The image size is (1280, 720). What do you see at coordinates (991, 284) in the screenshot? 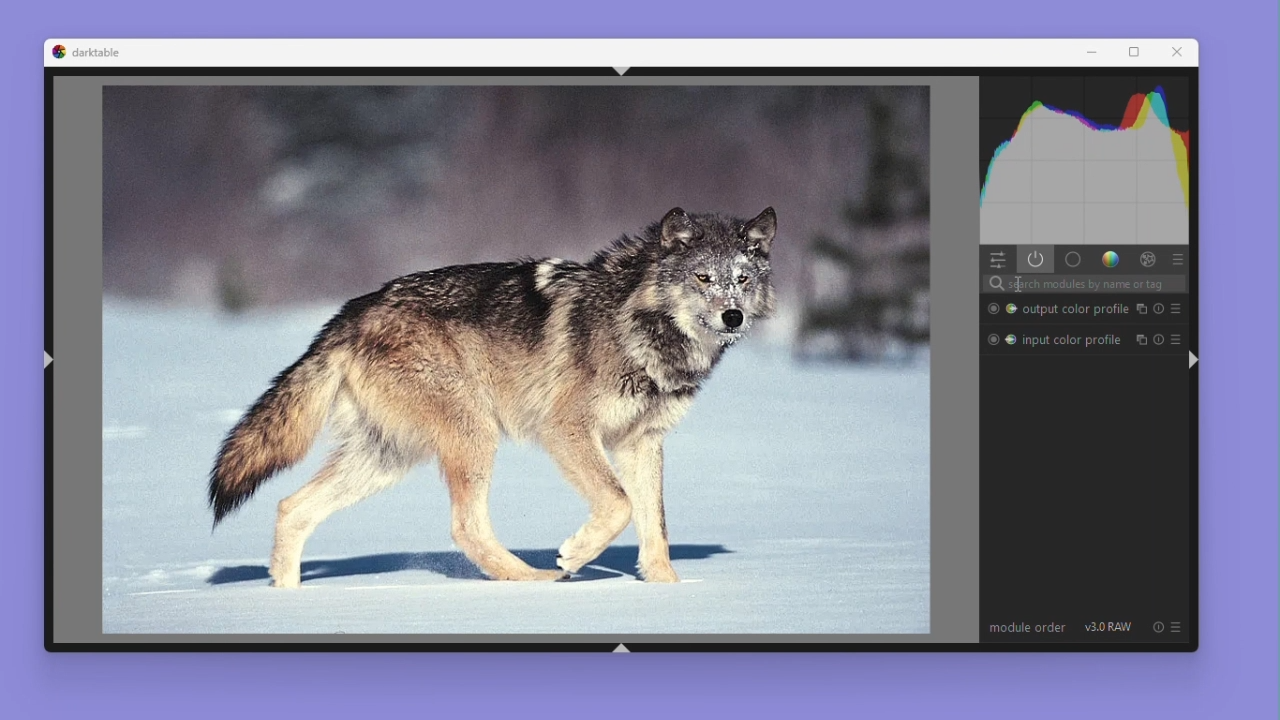
I see `Search` at bounding box center [991, 284].